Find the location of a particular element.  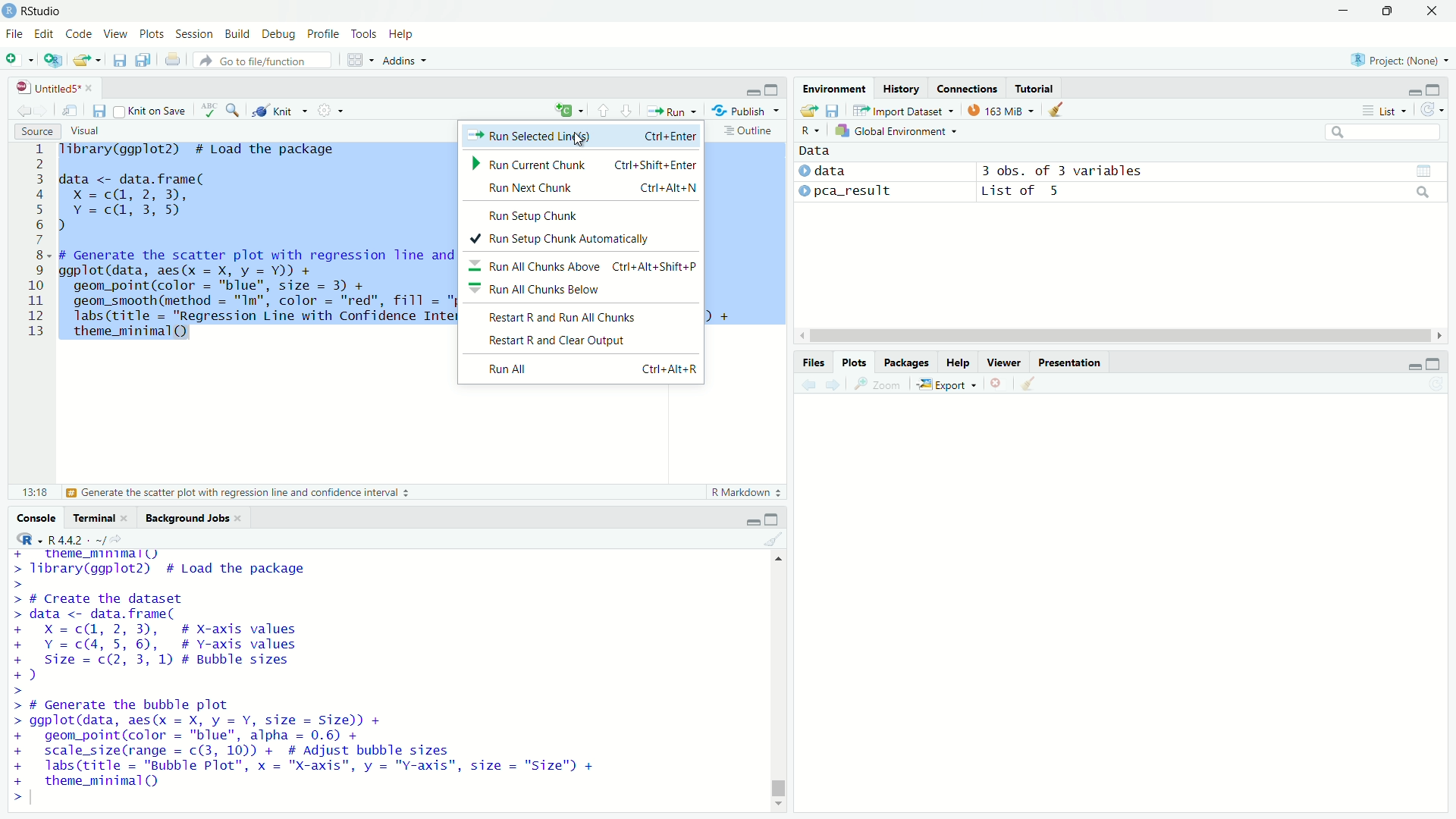

Run Setup Chunk is located at coordinates (579, 213).